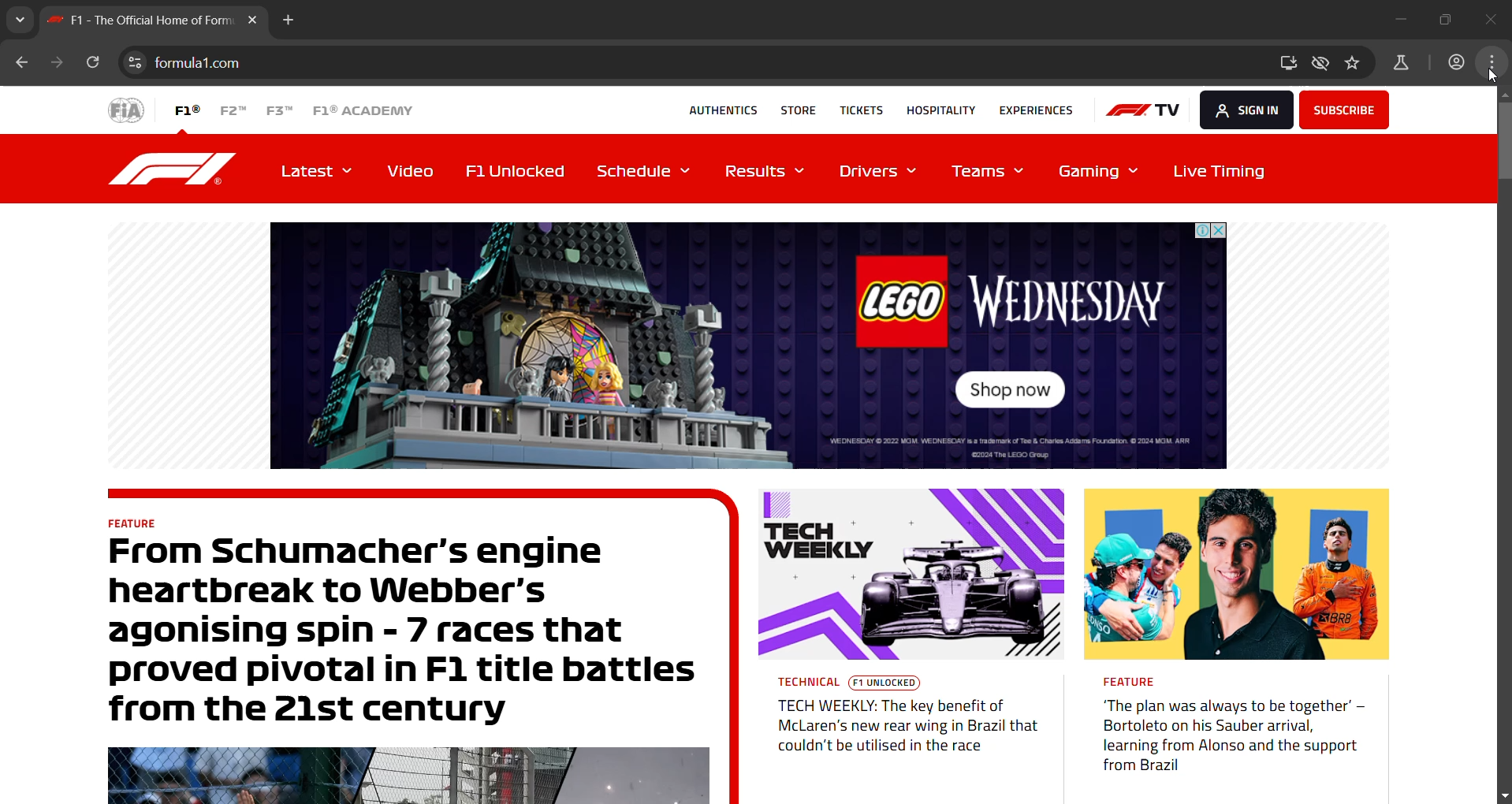  I want to click on bookmark, so click(1356, 65).